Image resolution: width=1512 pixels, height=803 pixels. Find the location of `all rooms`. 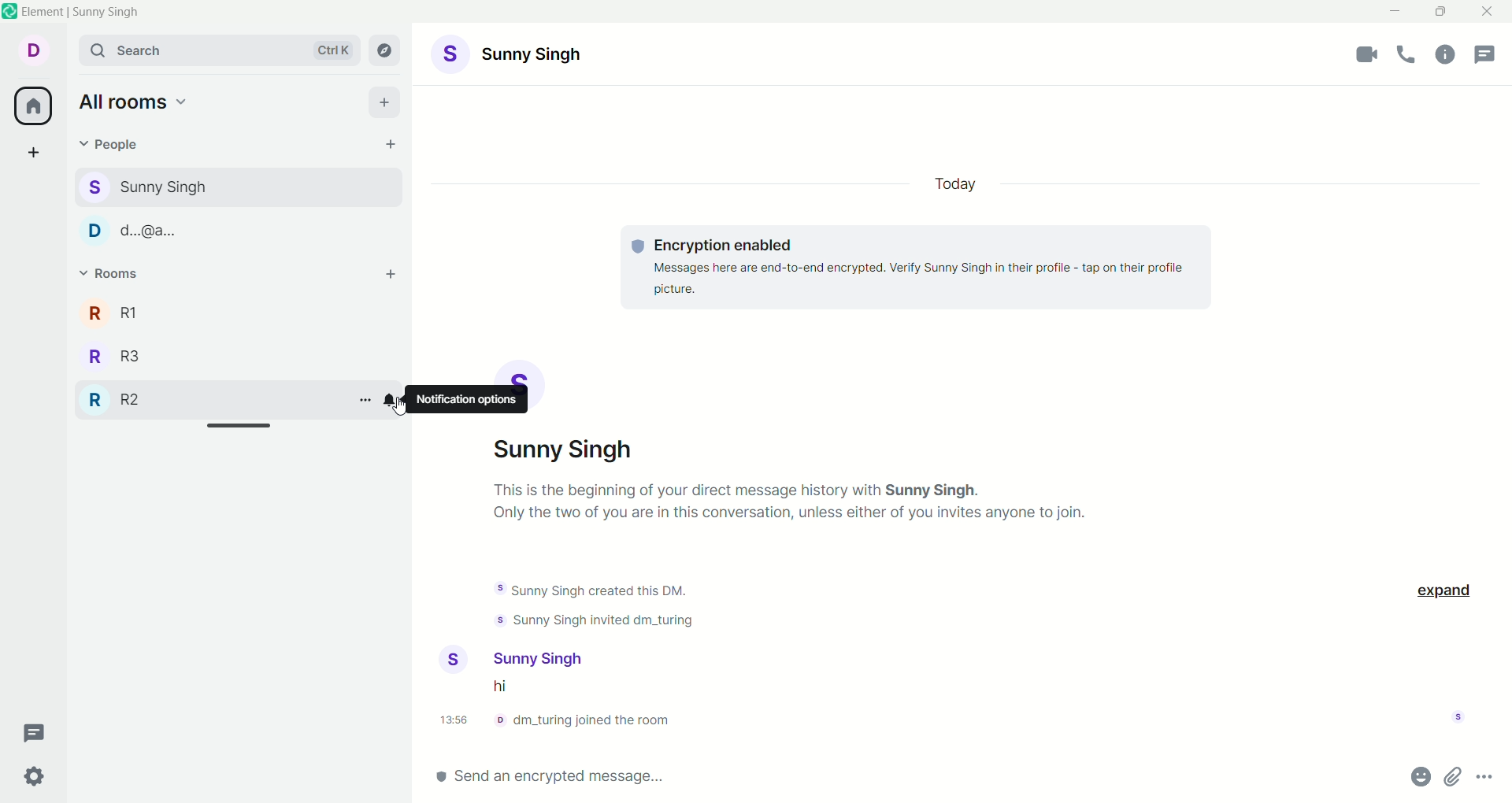

all rooms is located at coordinates (32, 108).